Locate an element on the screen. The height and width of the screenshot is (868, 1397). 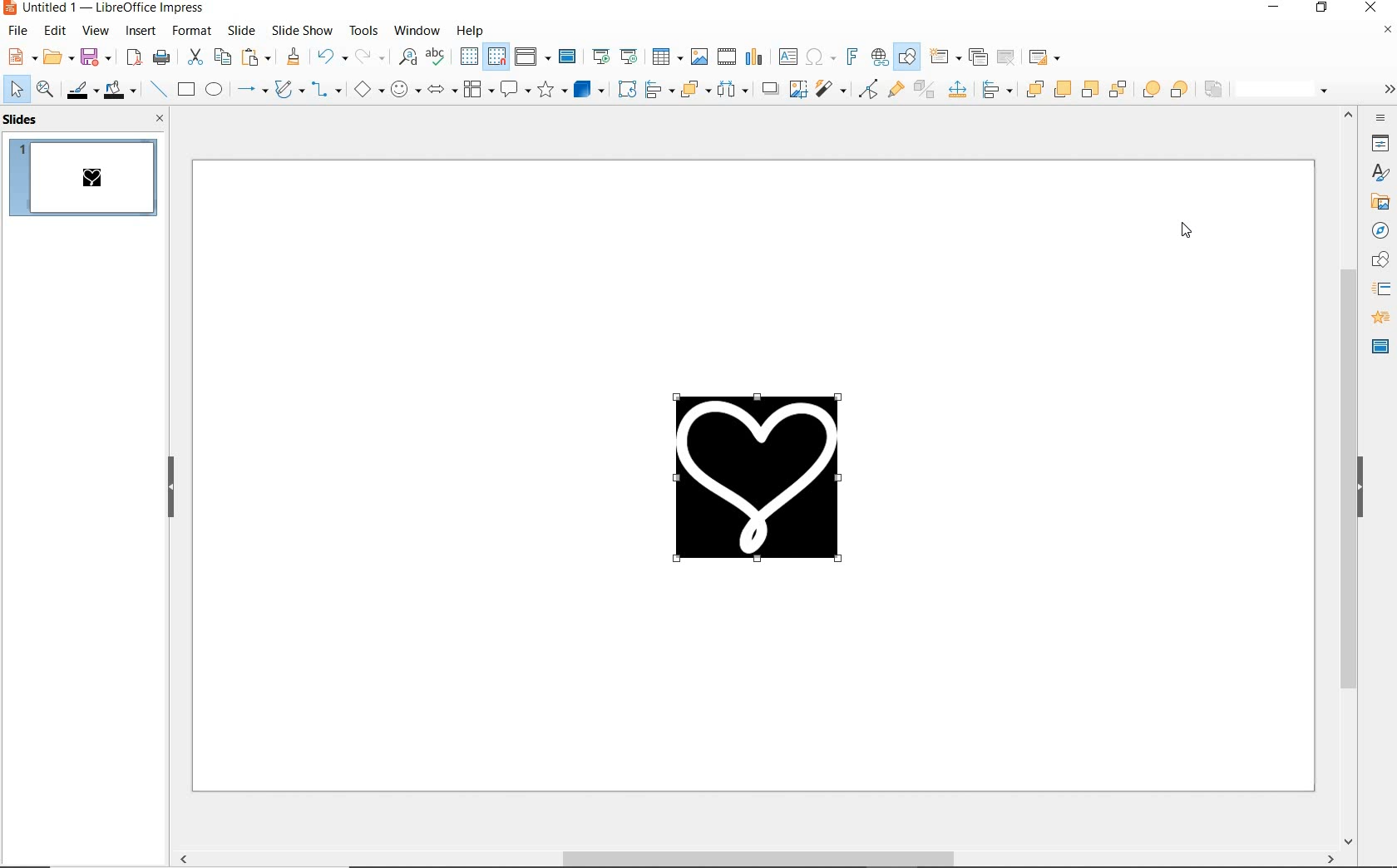
curves & polygons is located at coordinates (289, 89).